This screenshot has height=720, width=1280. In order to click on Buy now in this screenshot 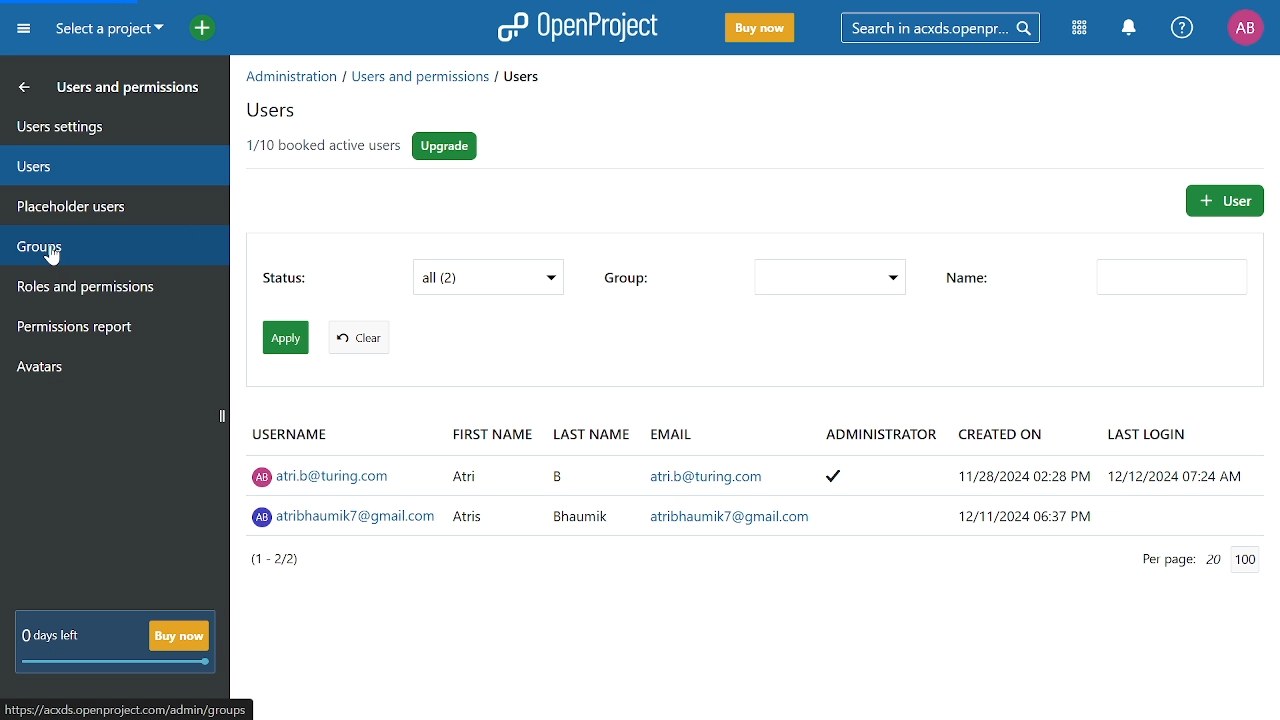, I will do `click(178, 635)`.